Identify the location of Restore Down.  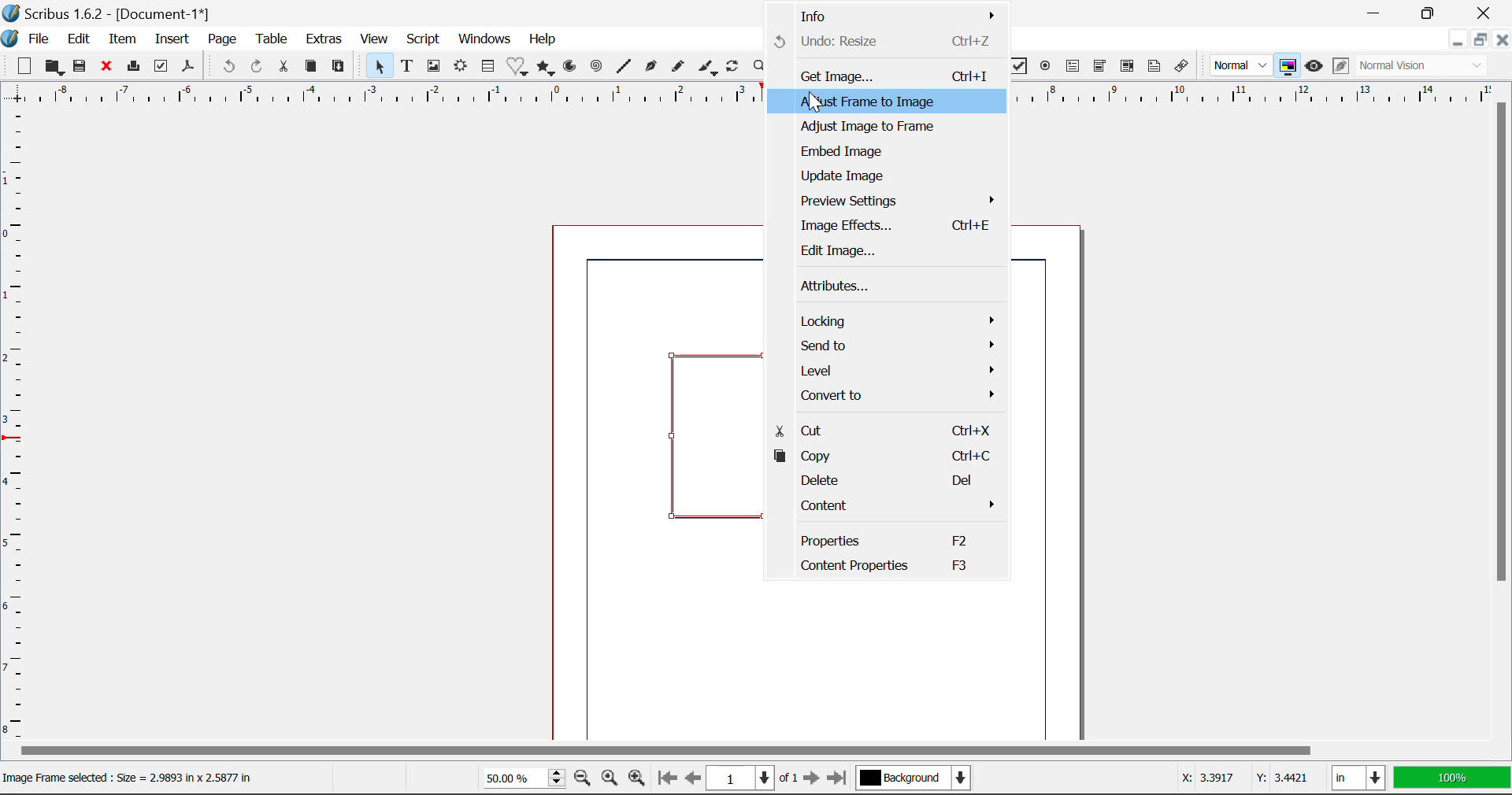
(1378, 13).